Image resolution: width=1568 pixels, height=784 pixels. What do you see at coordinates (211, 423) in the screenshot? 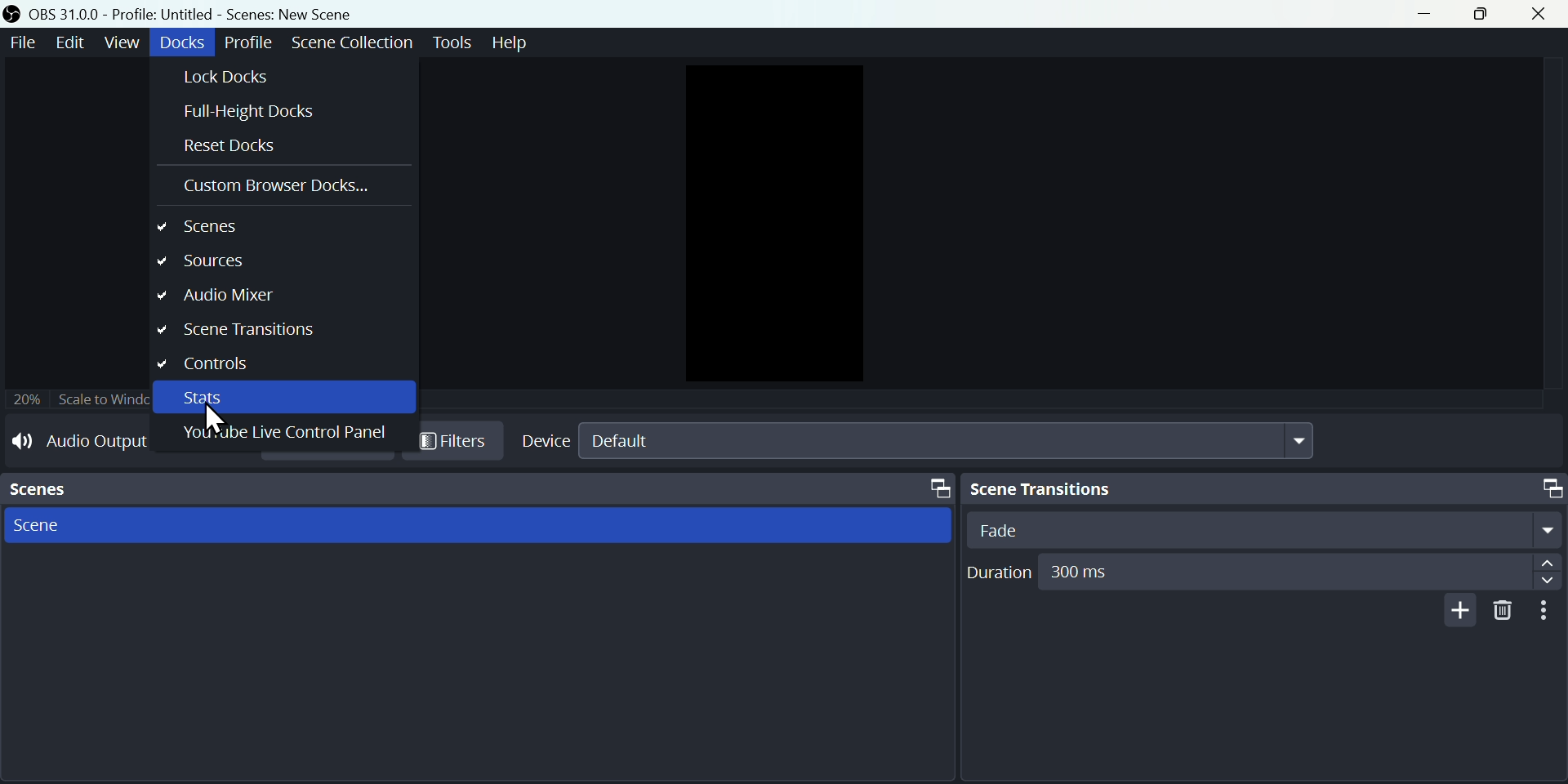
I see `cursor` at bounding box center [211, 423].